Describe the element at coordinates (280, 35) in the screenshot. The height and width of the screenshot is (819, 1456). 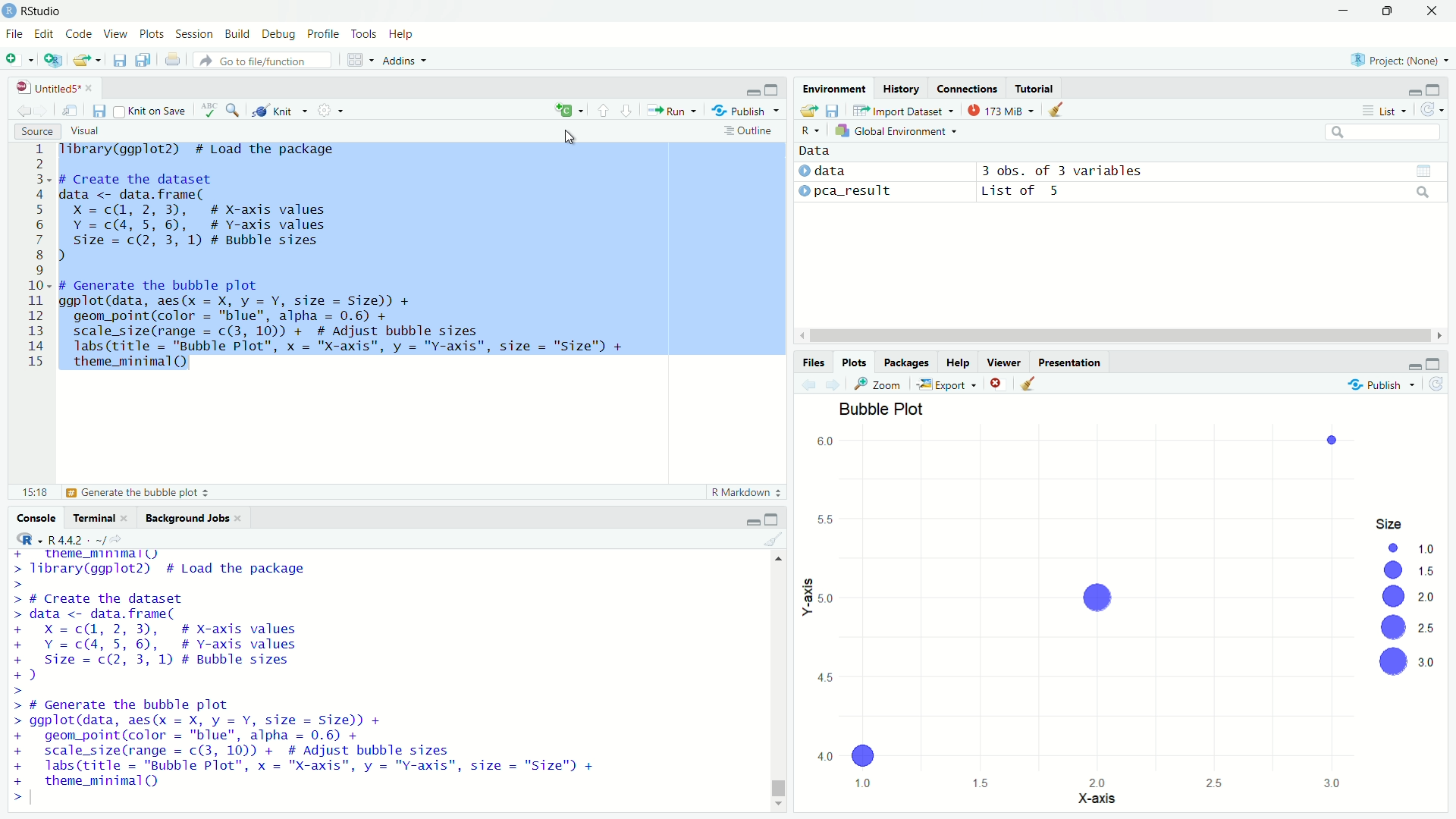
I see `debug` at that location.